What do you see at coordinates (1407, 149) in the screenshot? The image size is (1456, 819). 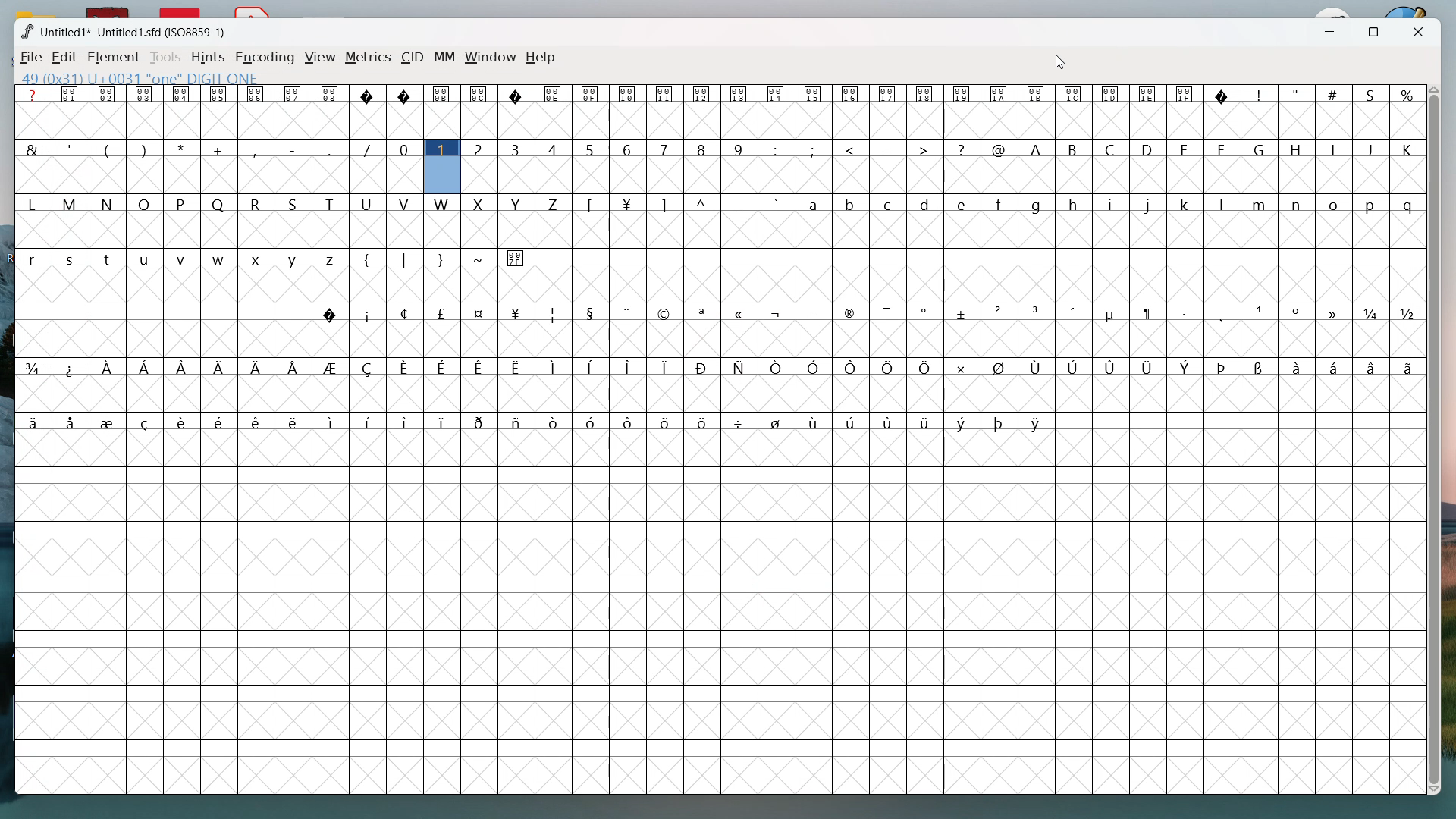 I see `K` at bounding box center [1407, 149].